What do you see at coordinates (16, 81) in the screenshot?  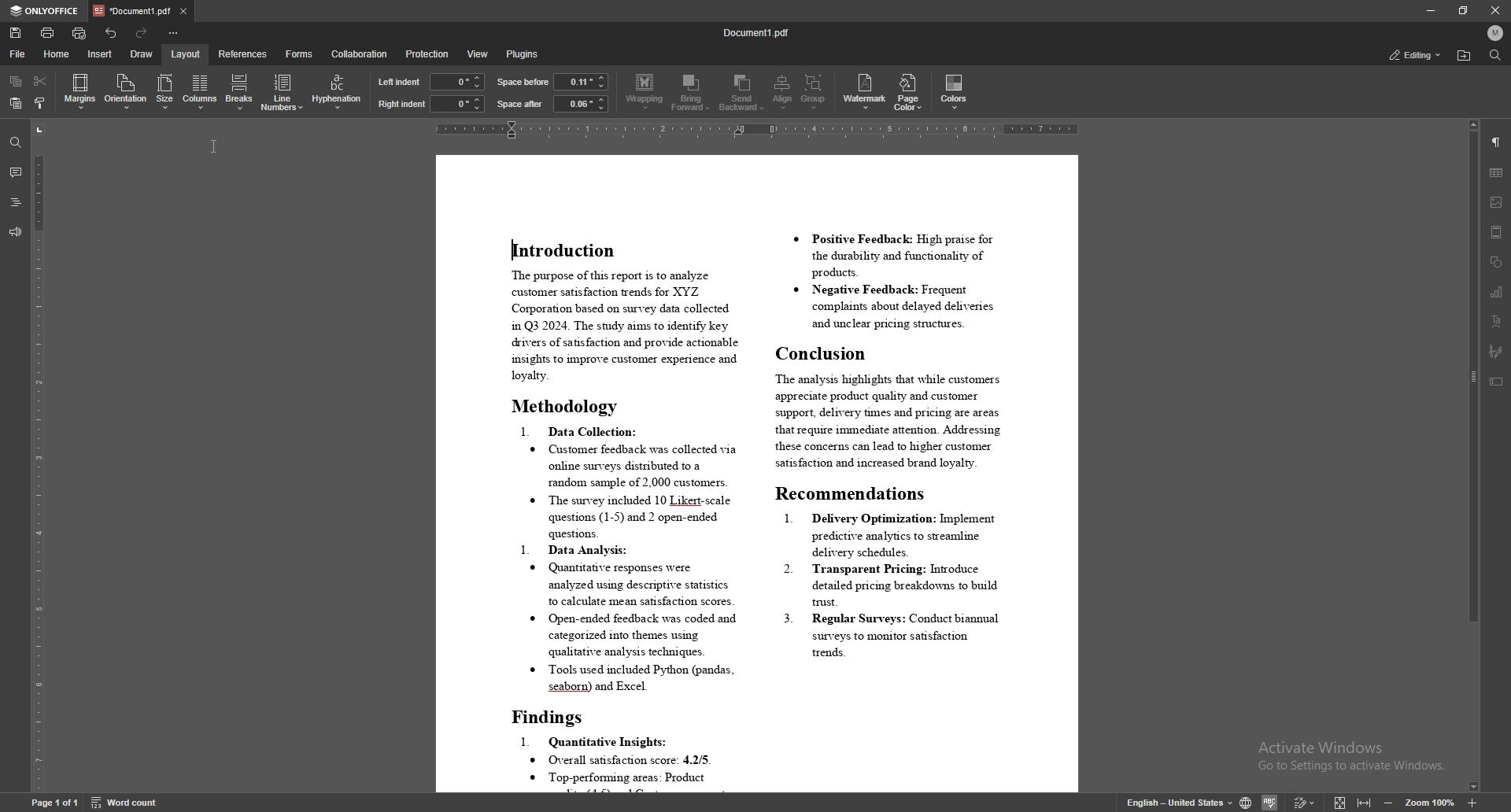 I see `copy` at bounding box center [16, 81].